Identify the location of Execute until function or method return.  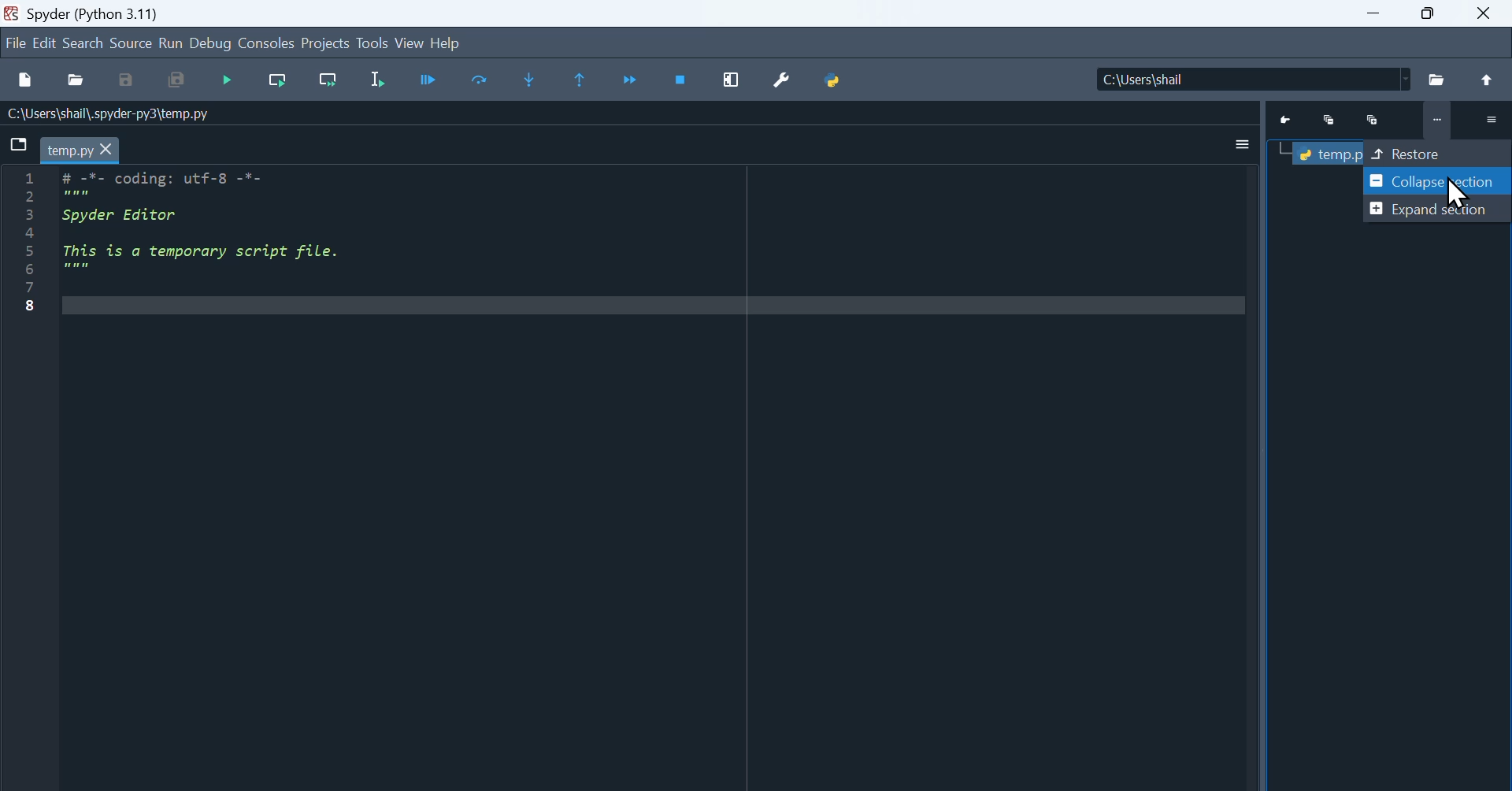
(581, 81).